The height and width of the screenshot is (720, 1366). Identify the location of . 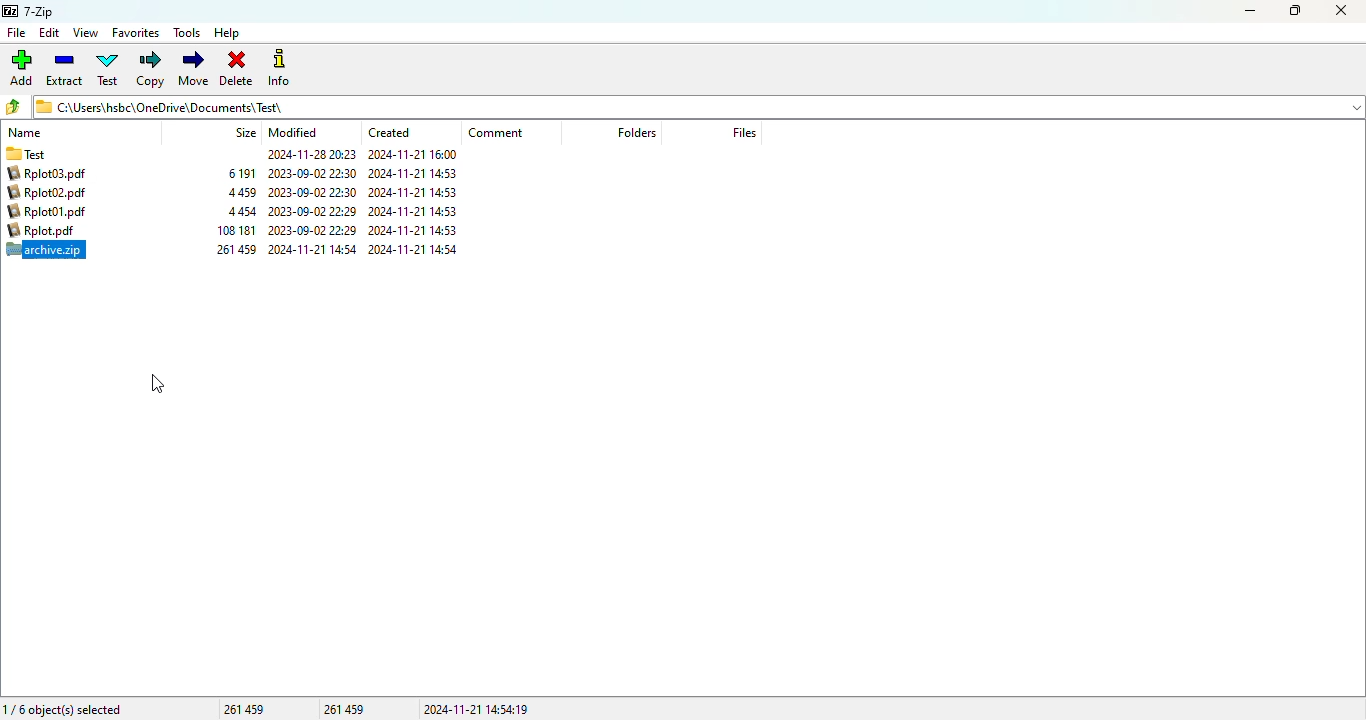
(311, 154).